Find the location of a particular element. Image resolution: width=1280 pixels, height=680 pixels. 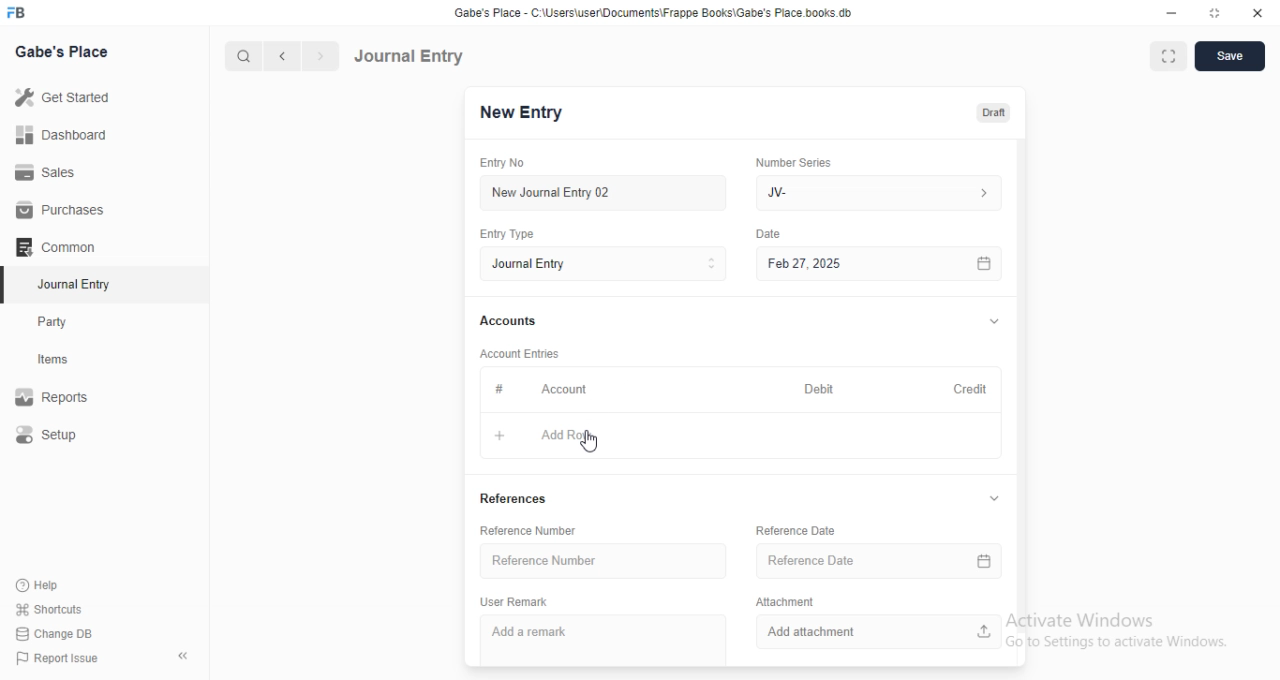

Reference Number is located at coordinates (529, 530).